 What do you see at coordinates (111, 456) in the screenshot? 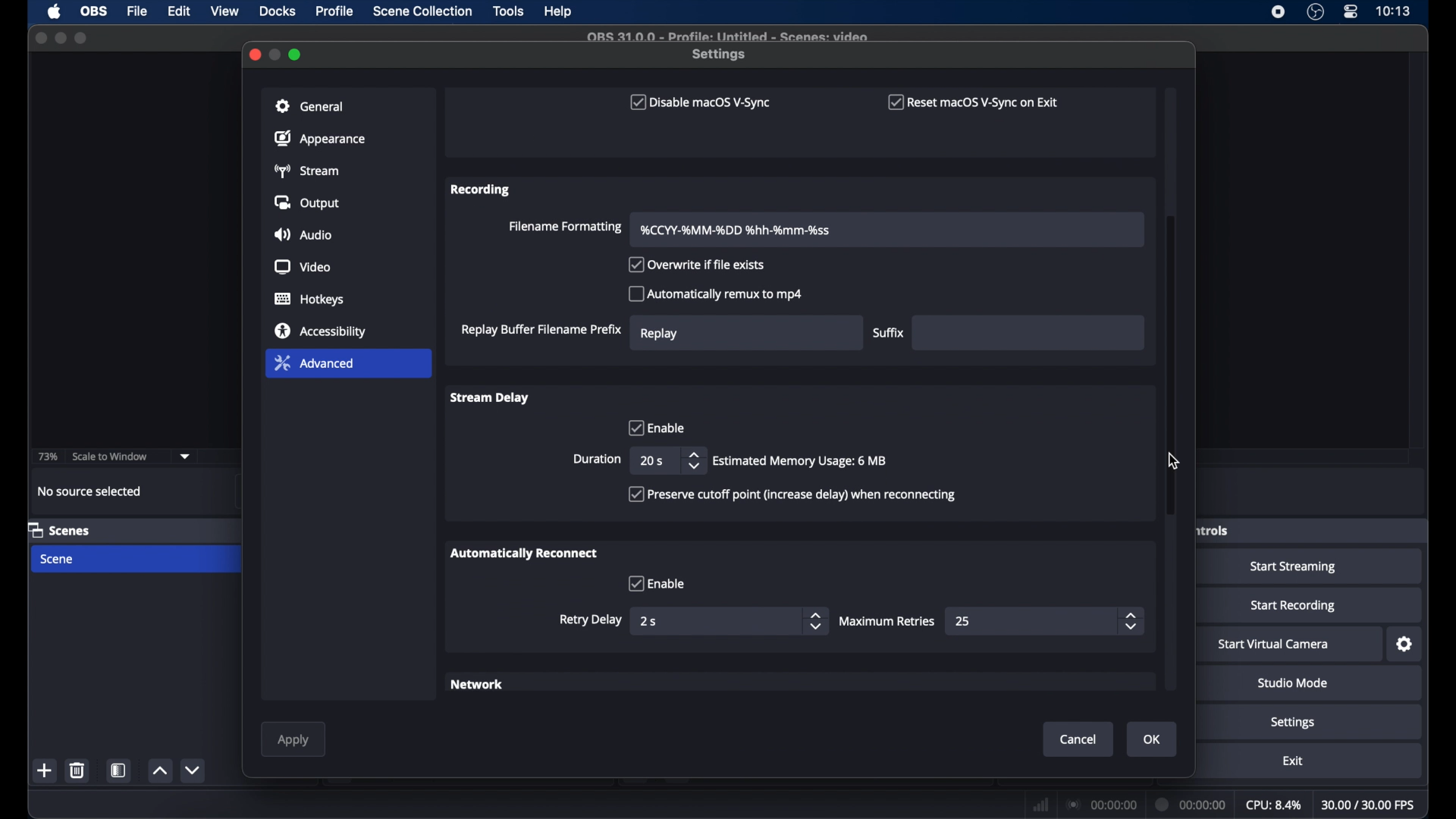
I see `scale to window` at bounding box center [111, 456].